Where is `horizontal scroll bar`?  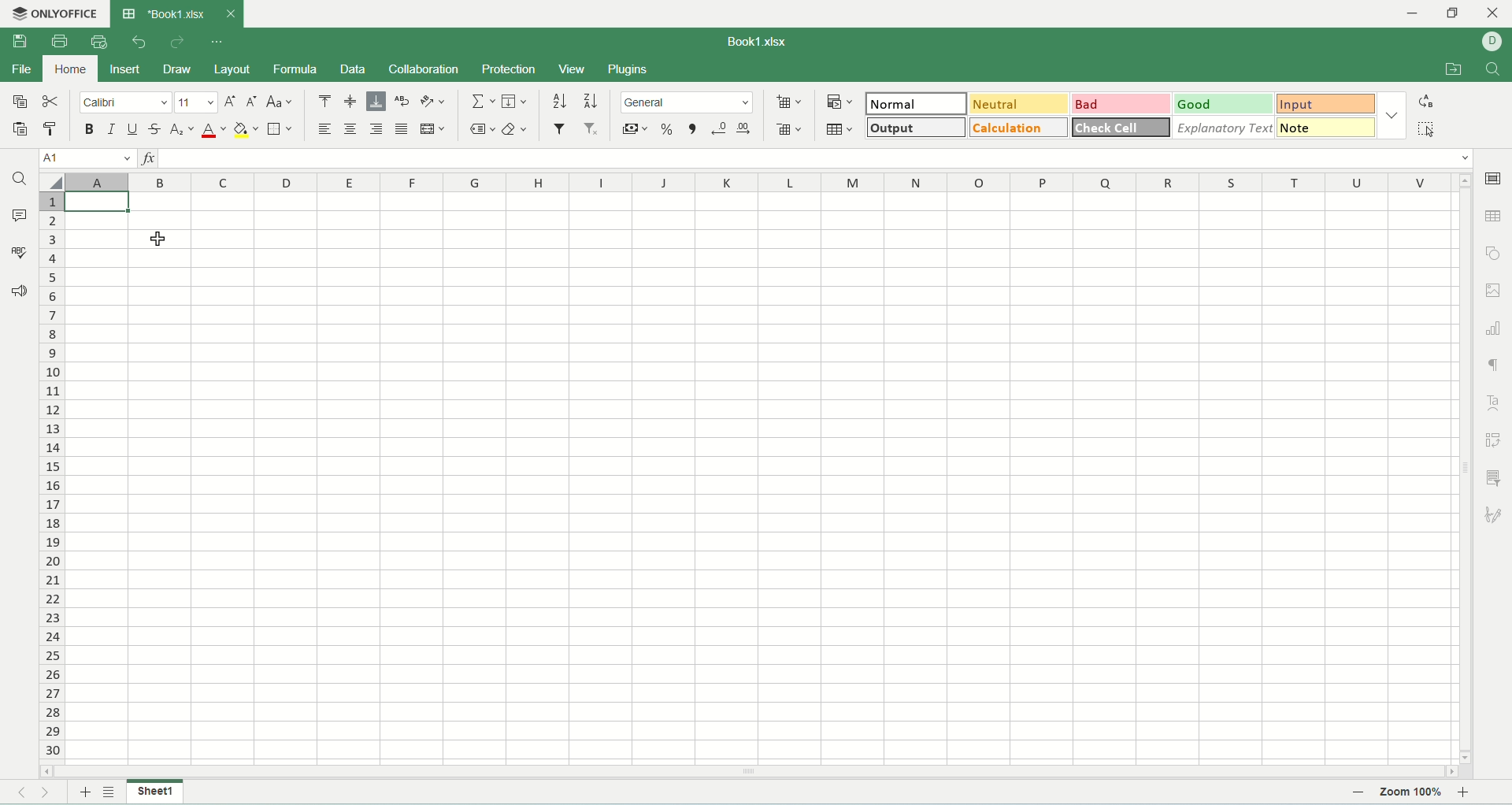
horizontal scroll bar is located at coordinates (749, 770).